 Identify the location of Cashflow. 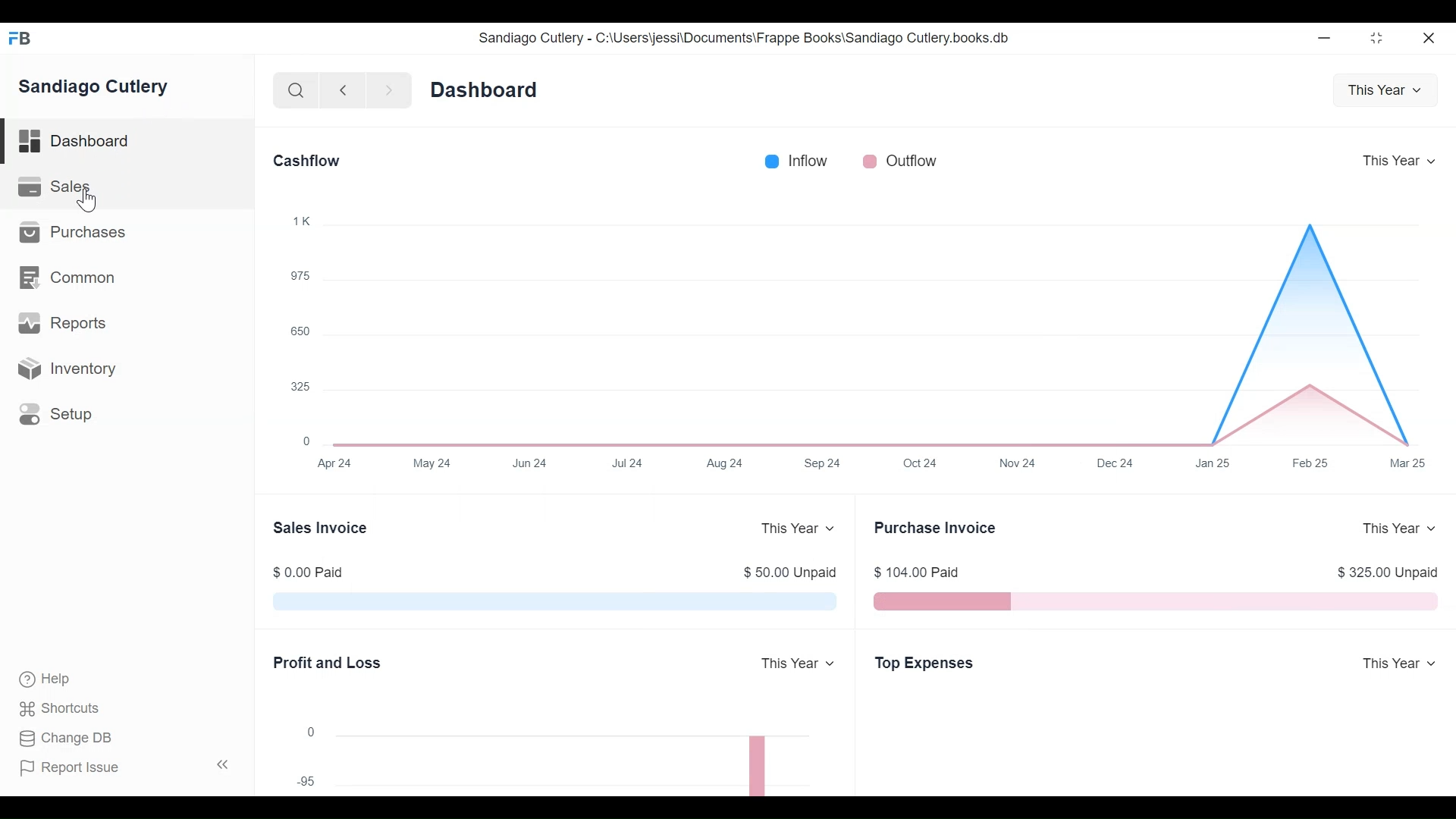
(308, 159).